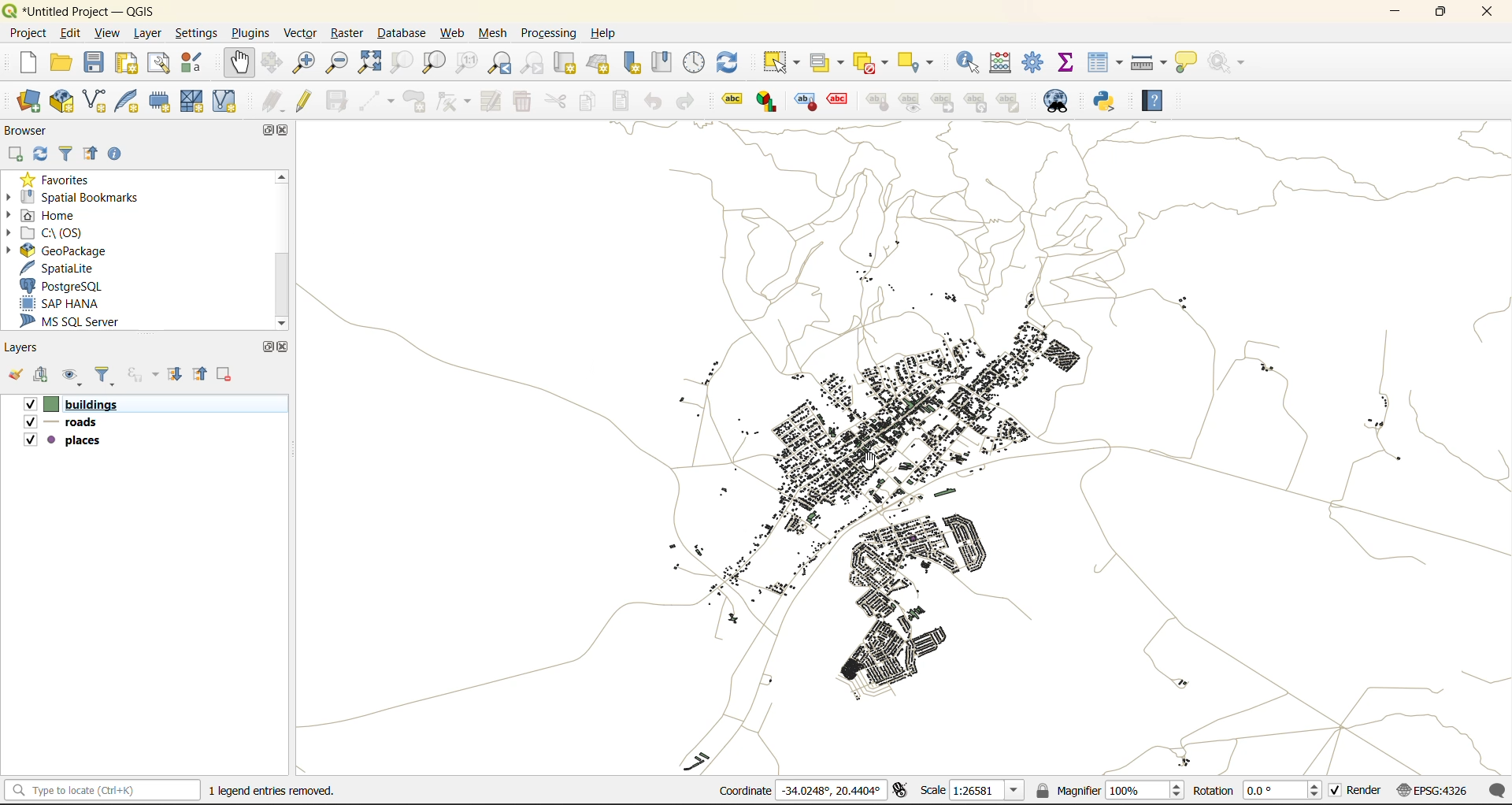  What do you see at coordinates (109, 376) in the screenshot?
I see `filter ` at bounding box center [109, 376].